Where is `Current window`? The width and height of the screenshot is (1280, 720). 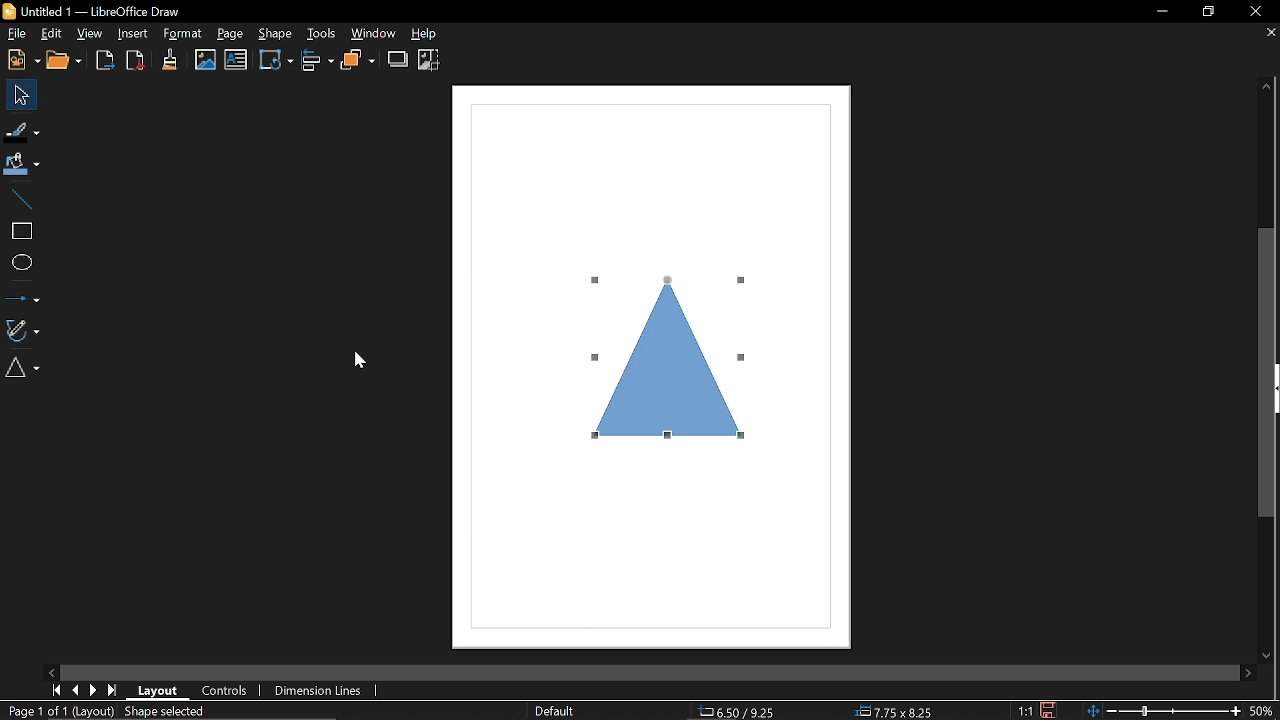 Current window is located at coordinates (100, 10).